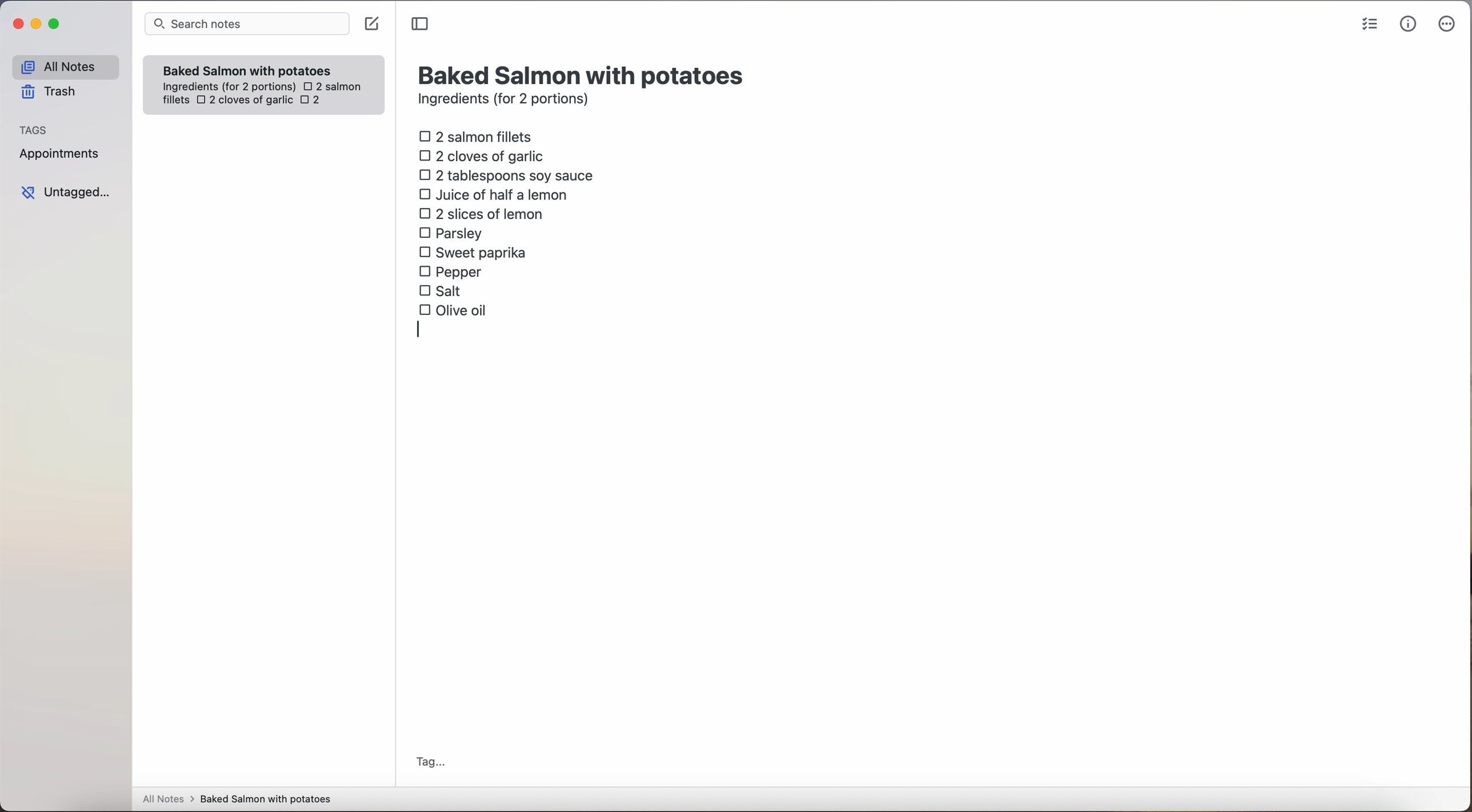 The height and width of the screenshot is (812, 1472). What do you see at coordinates (56, 23) in the screenshot?
I see `maximize` at bounding box center [56, 23].